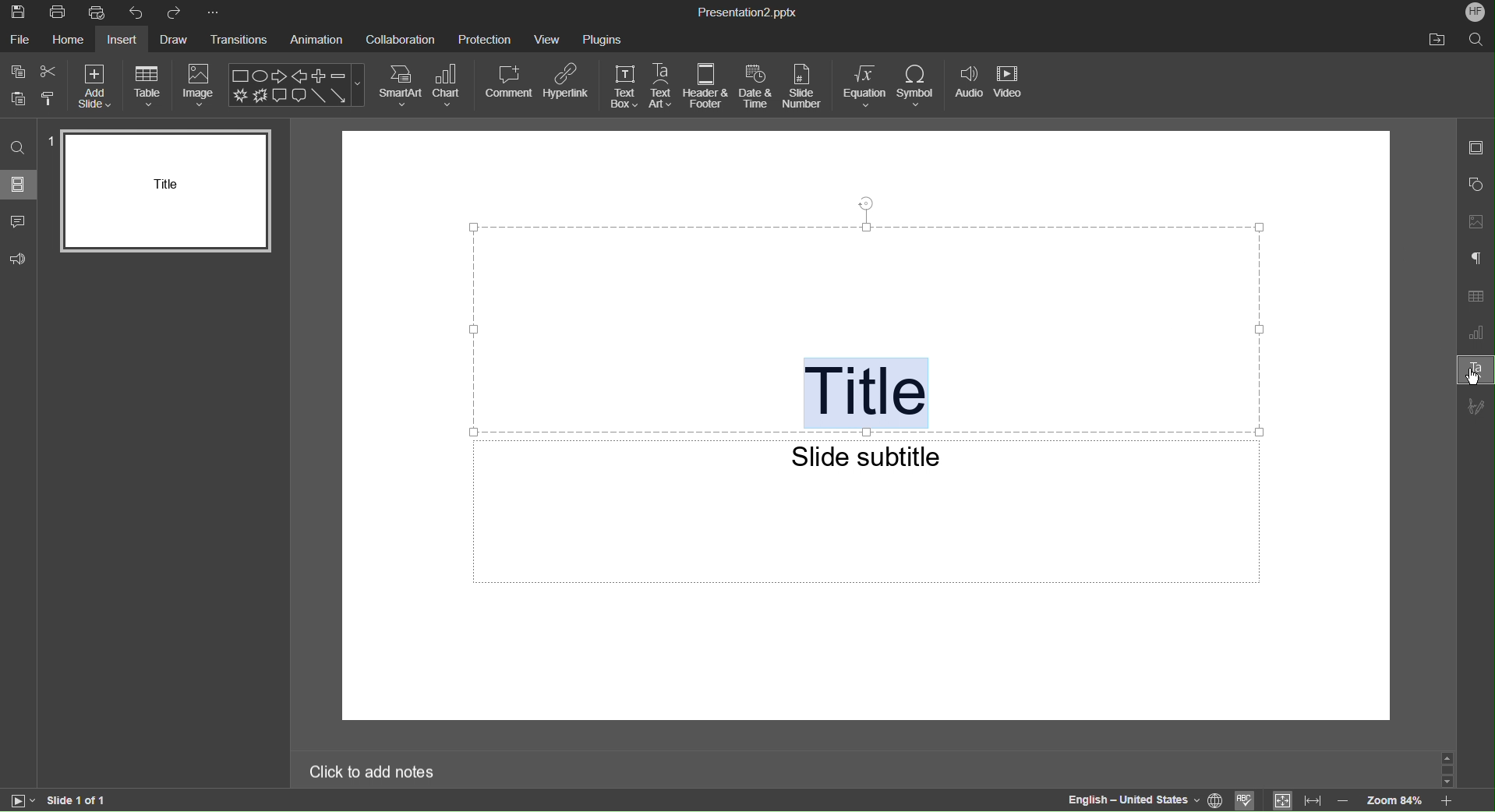 The height and width of the screenshot is (812, 1495). Describe the element at coordinates (1312, 800) in the screenshot. I see `fit to width` at that location.